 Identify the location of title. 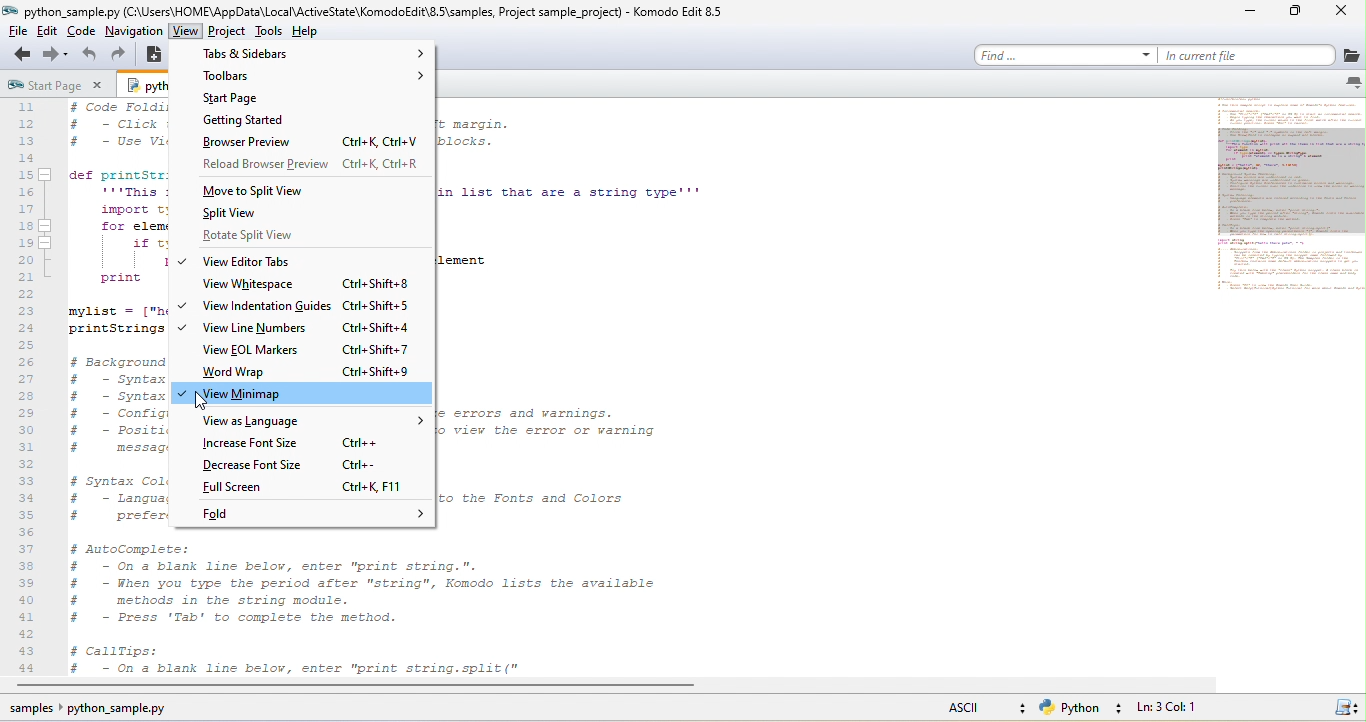
(368, 10).